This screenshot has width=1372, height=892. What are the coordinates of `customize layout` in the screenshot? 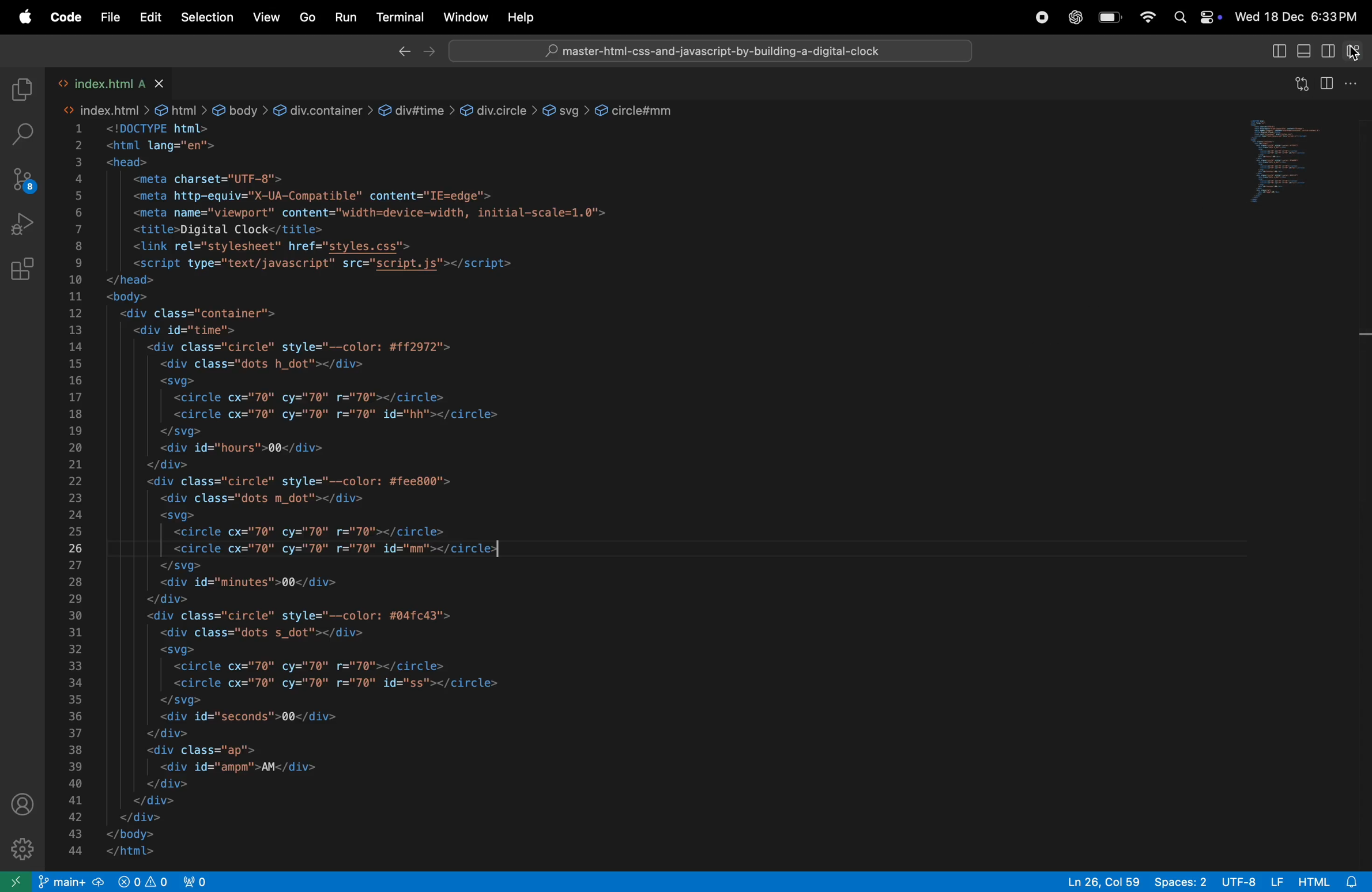 It's located at (1358, 50).